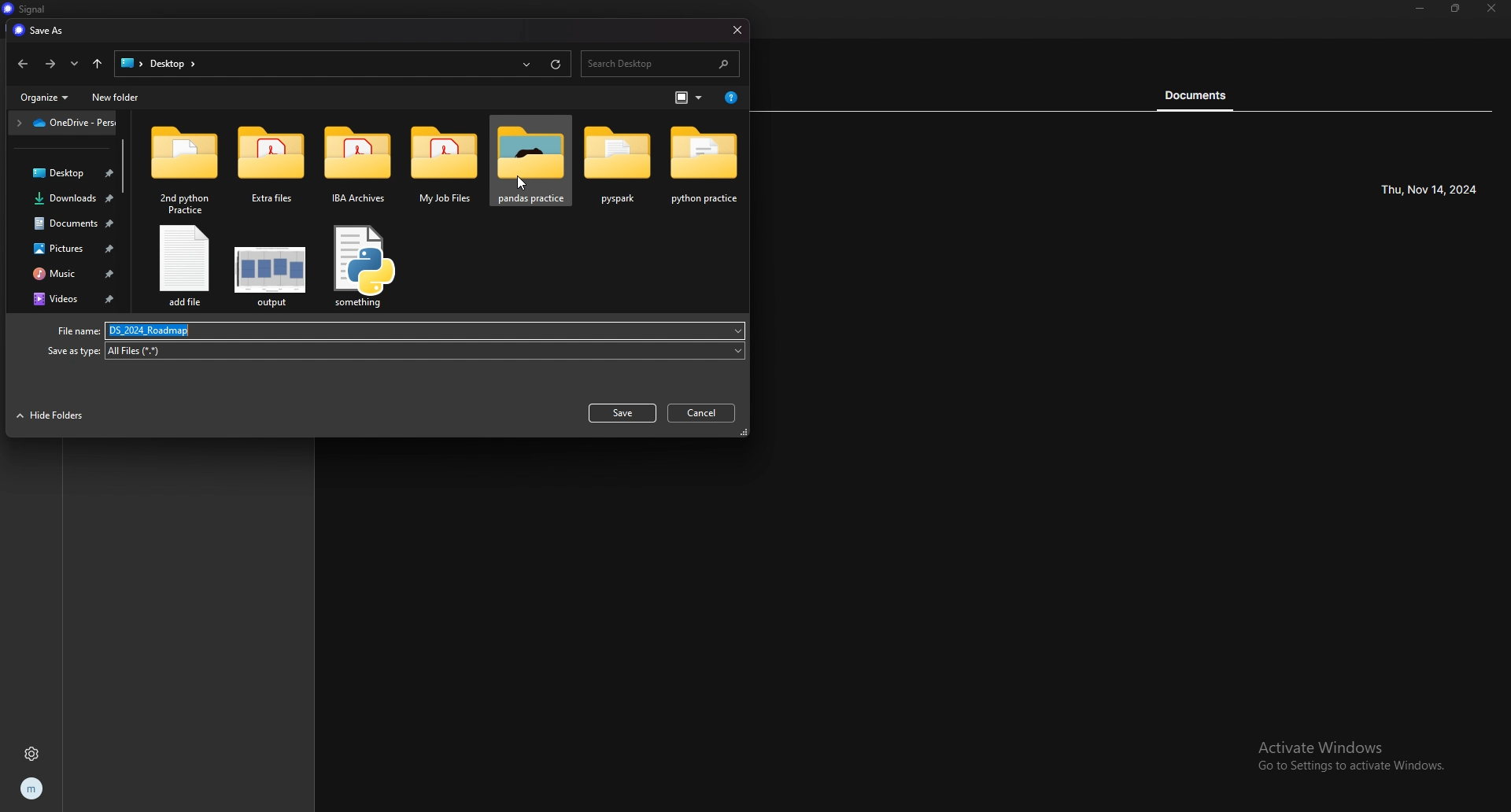 The height and width of the screenshot is (812, 1511). What do you see at coordinates (270, 164) in the screenshot?
I see `folder` at bounding box center [270, 164].